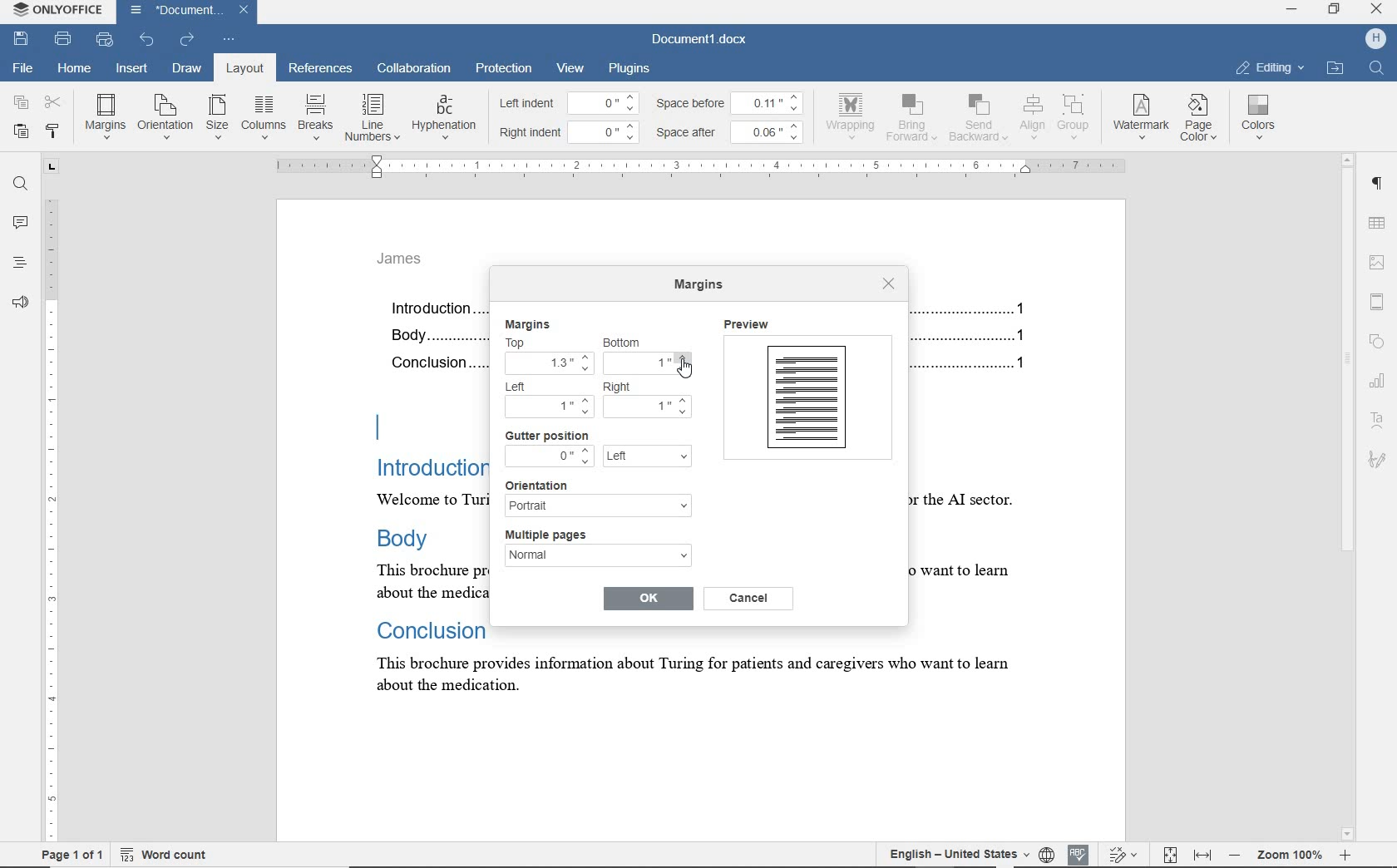 The width and height of the screenshot is (1397, 868). What do you see at coordinates (1074, 116) in the screenshot?
I see `group` at bounding box center [1074, 116].